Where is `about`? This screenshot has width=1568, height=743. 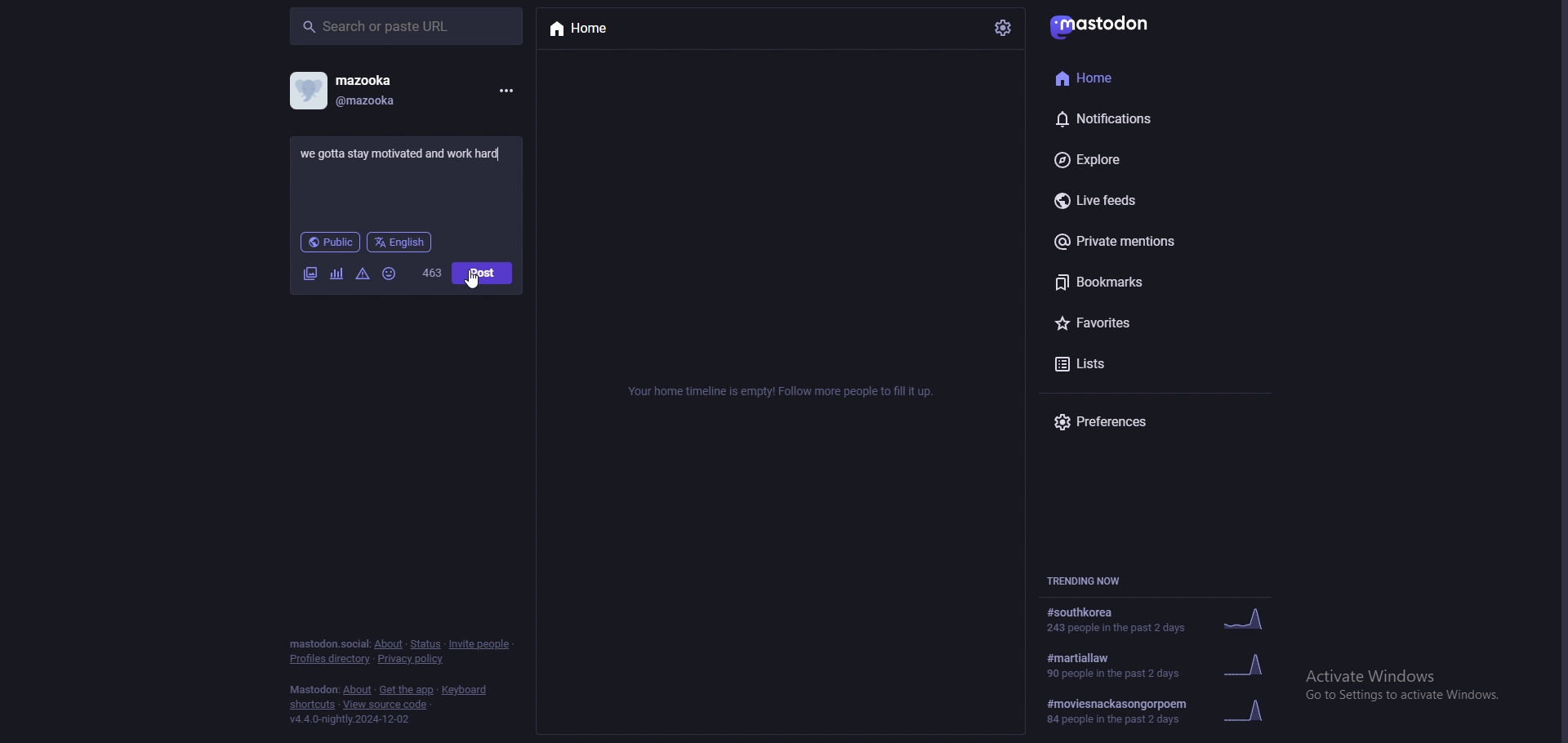 about is located at coordinates (358, 691).